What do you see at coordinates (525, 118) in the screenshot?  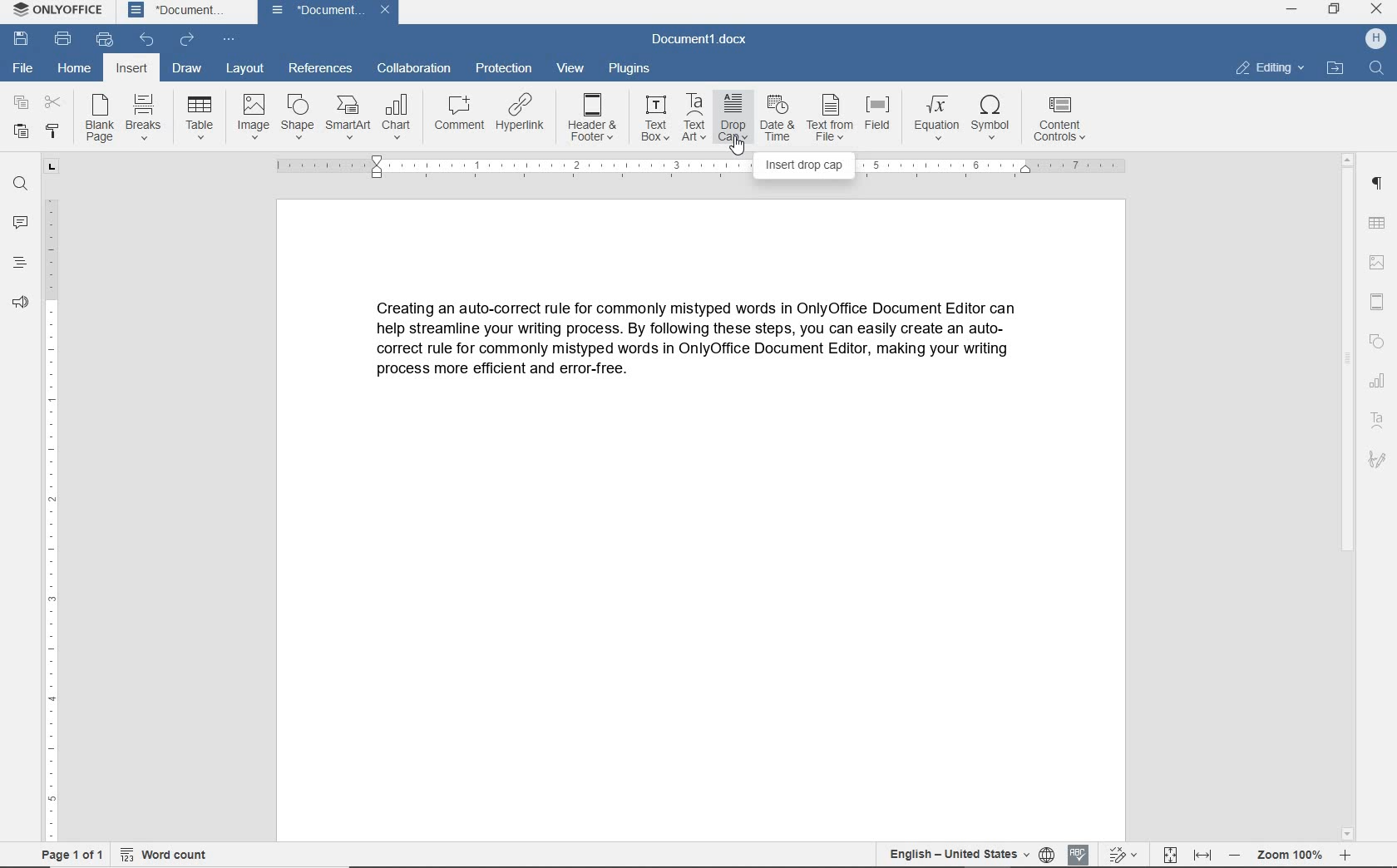 I see `hyperlink` at bounding box center [525, 118].